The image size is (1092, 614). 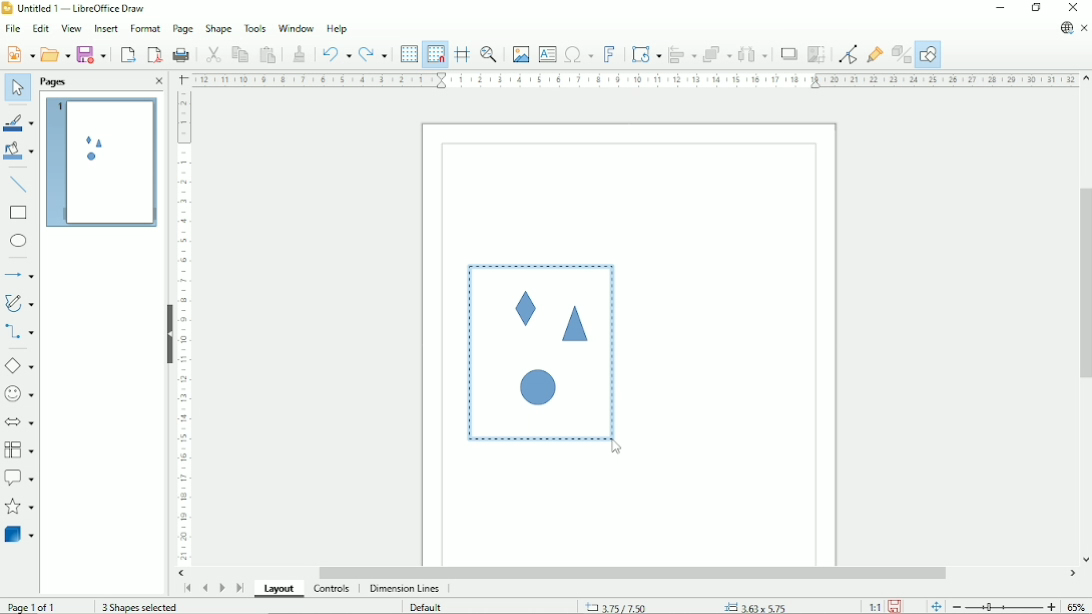 What do you see at coordinates (204, 589) in the screenshot?
I see `Scroll to previous page` at bounding box center [204, 589].